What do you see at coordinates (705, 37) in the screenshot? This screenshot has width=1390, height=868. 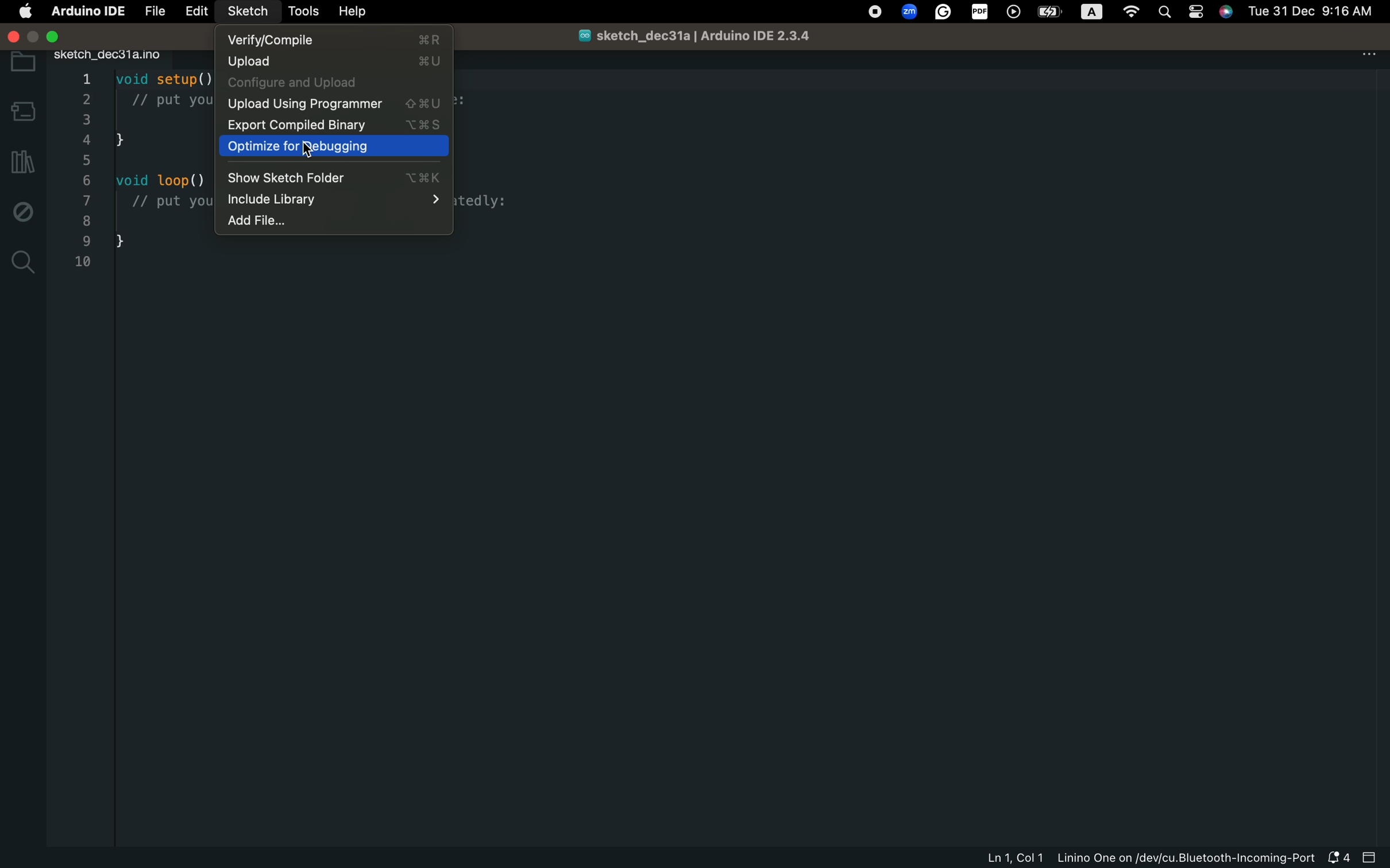 I see `file name` at bounding box center [705, 37].